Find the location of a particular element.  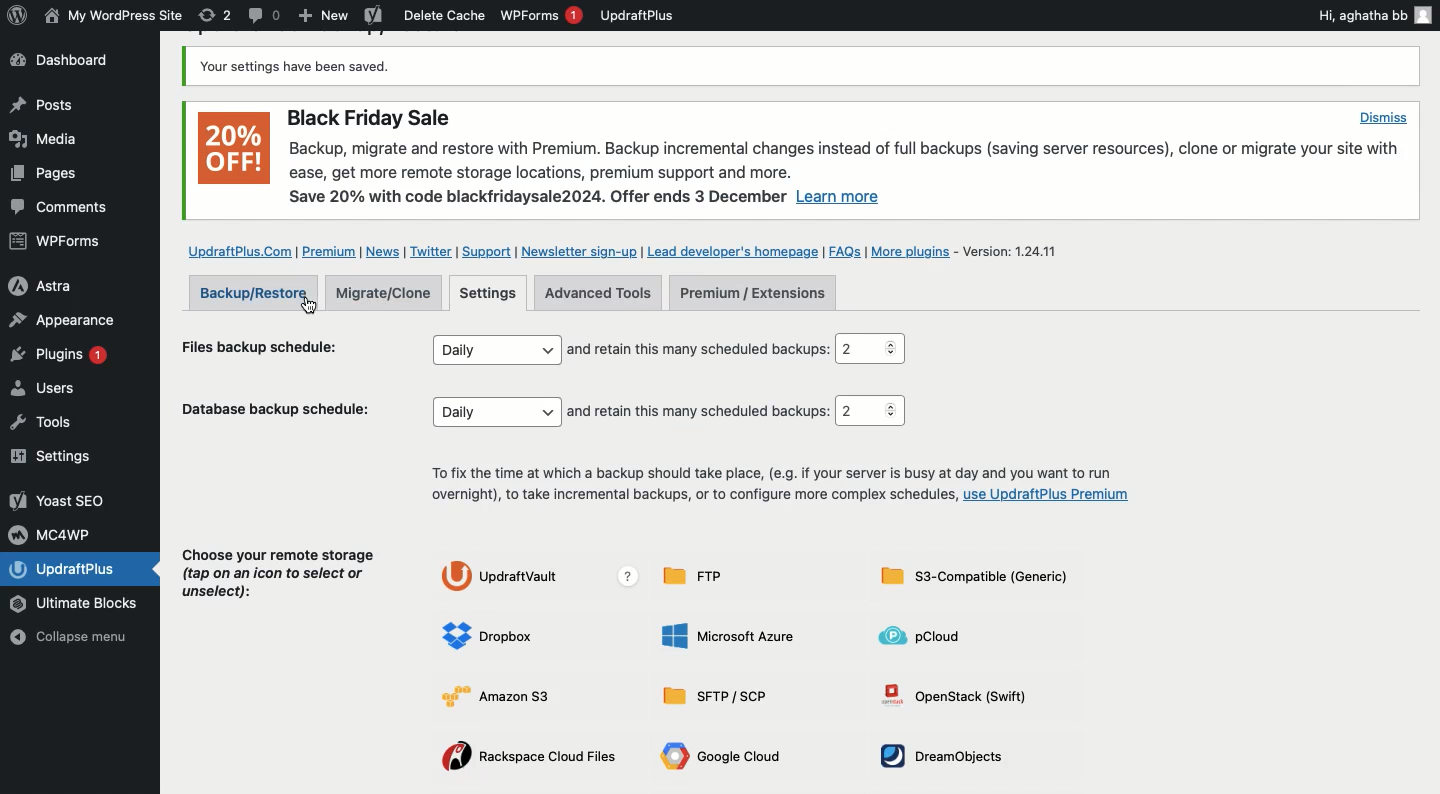

Backup, migrate and restore with Premium. Backup incremental changes instead of full backups (saving server resources), clone or migrate your site withease, get more remote storage locations, premium support and more. Save 20% with code blackfridaysale2024. Offer ends 3 December Learn more is located at coordinates (847, 174).